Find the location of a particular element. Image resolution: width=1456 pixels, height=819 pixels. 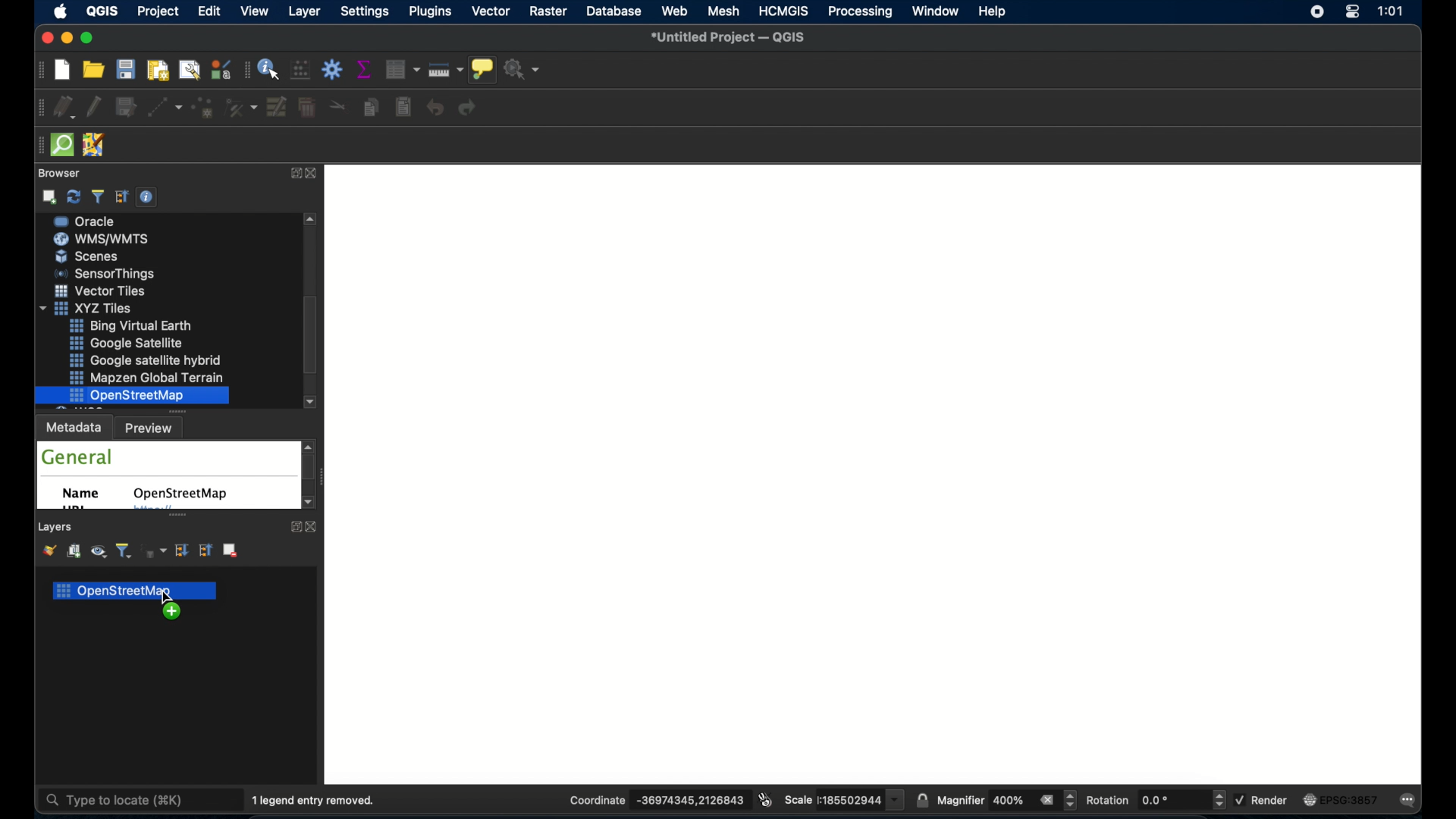

collapse all is located at coordinates (122, 197).